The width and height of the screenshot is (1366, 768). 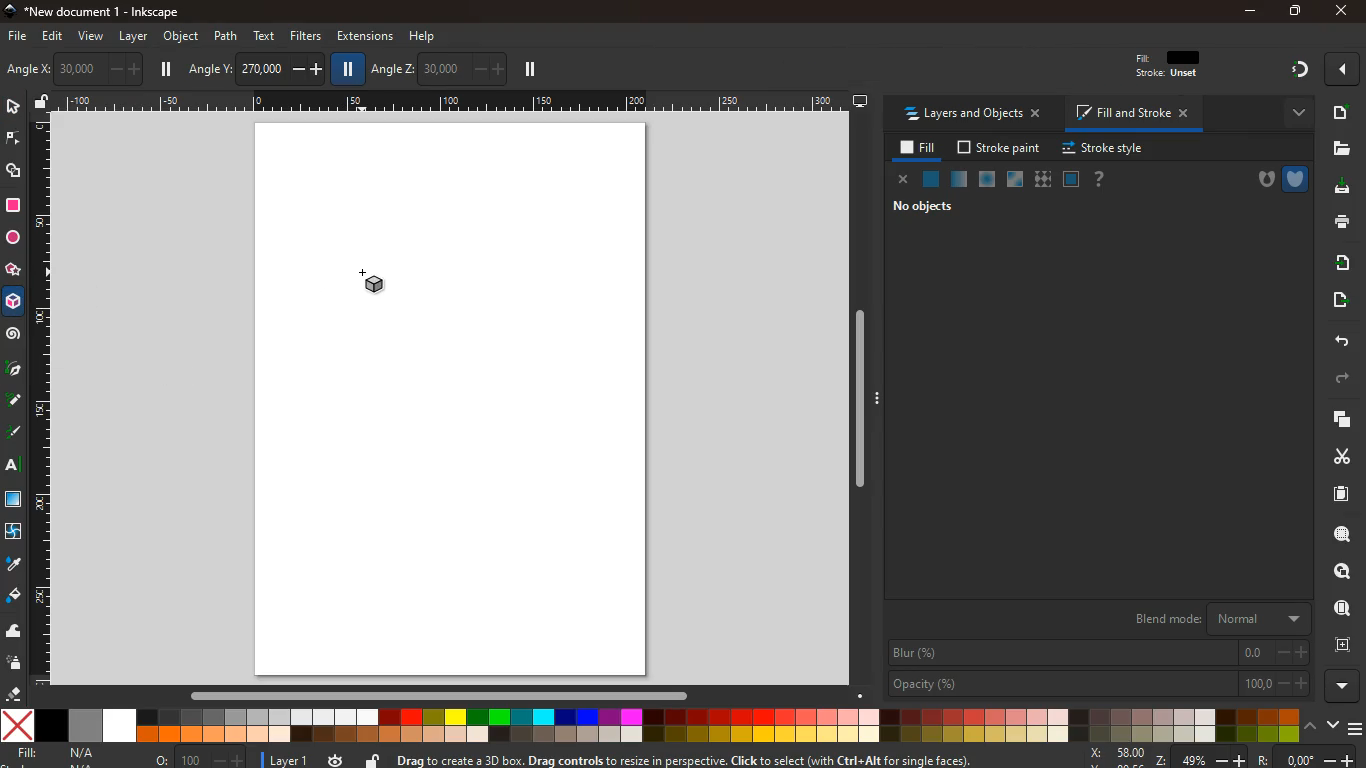 What do you see at coordinates (255, 67) in the screenshot?
I see `angle y` at bounding box center [255, 67].